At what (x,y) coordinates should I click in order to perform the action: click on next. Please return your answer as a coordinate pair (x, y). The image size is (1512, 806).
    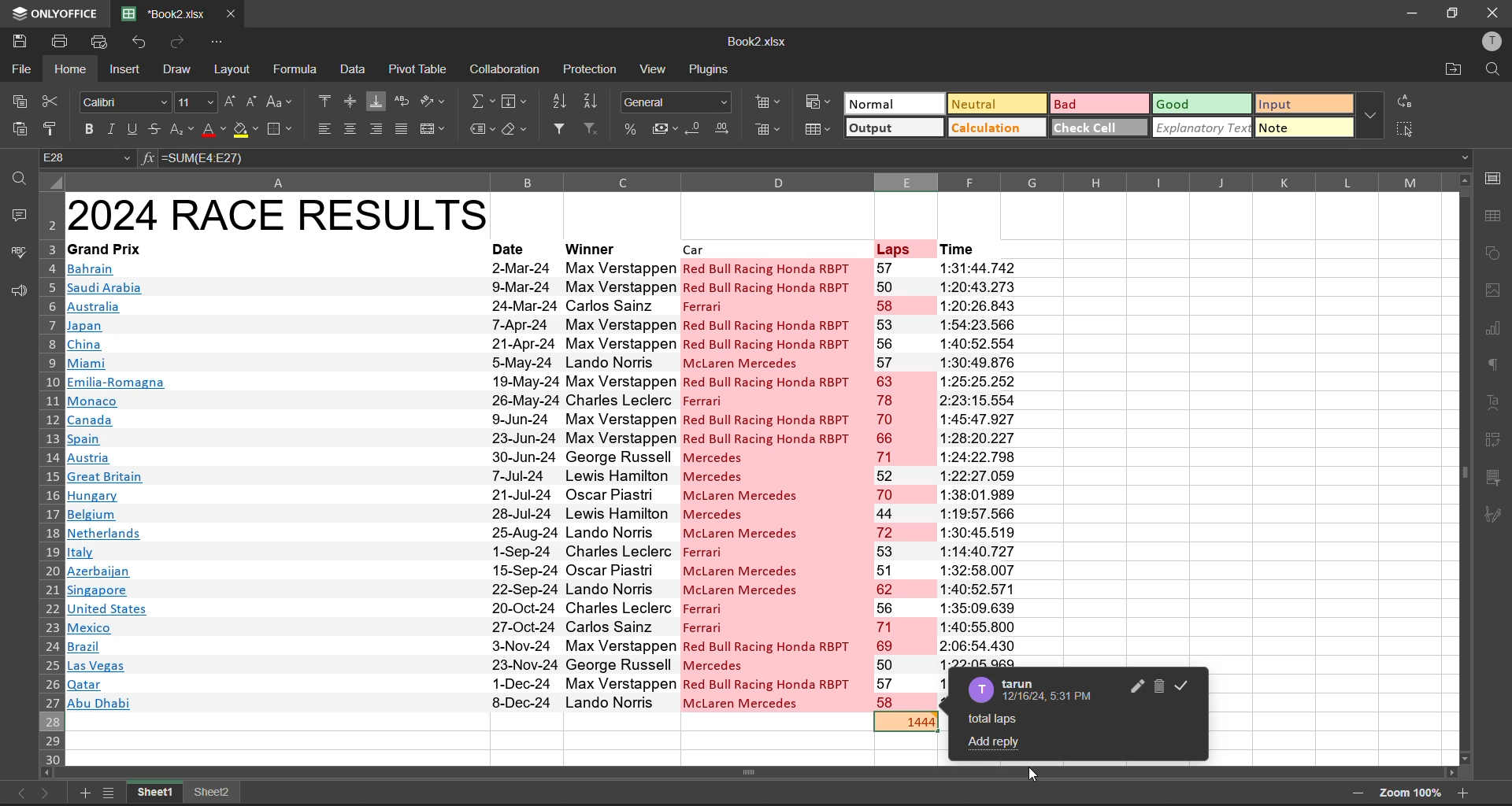
    Looking at the image, I should click on (47, 792).